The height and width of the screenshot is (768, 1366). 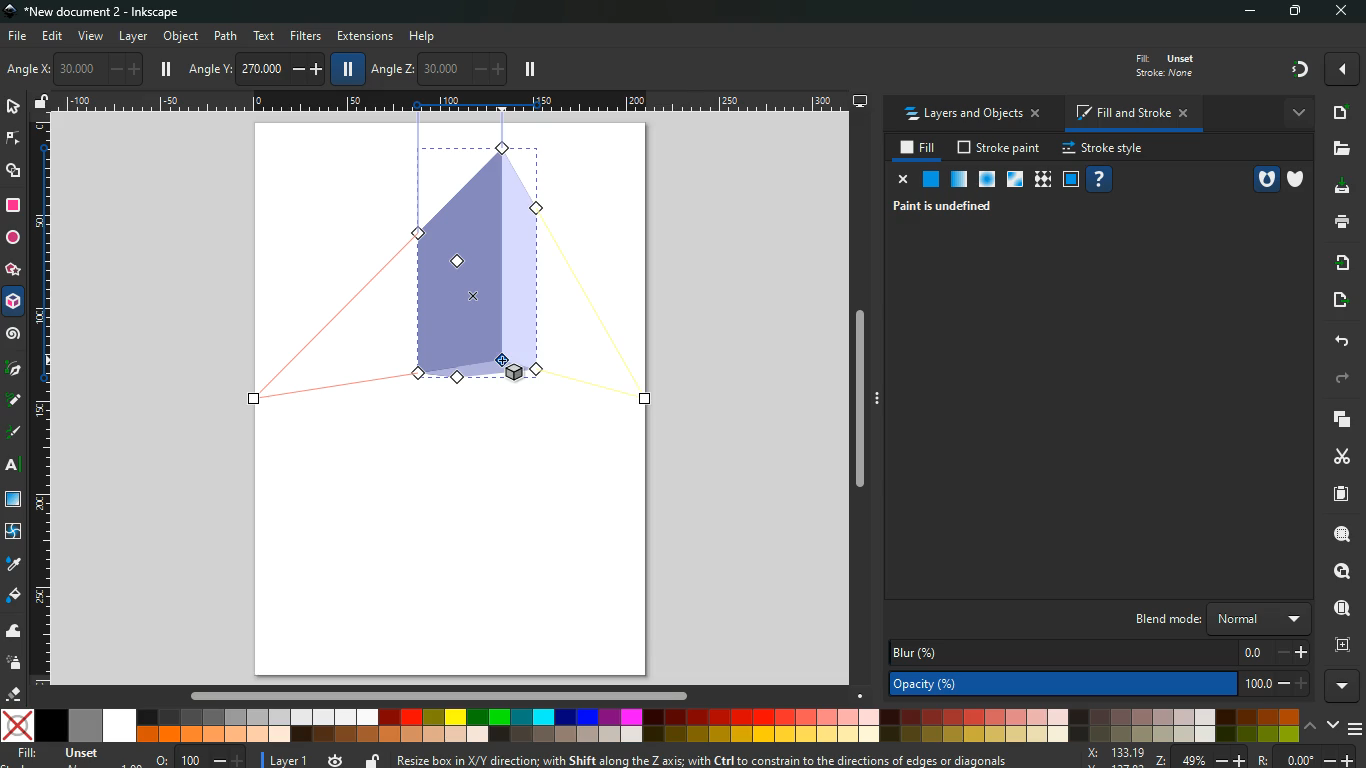 What do you see at coordinates (16, 37) in the screenshot?
I see `file` at bounding box center [16, 37].